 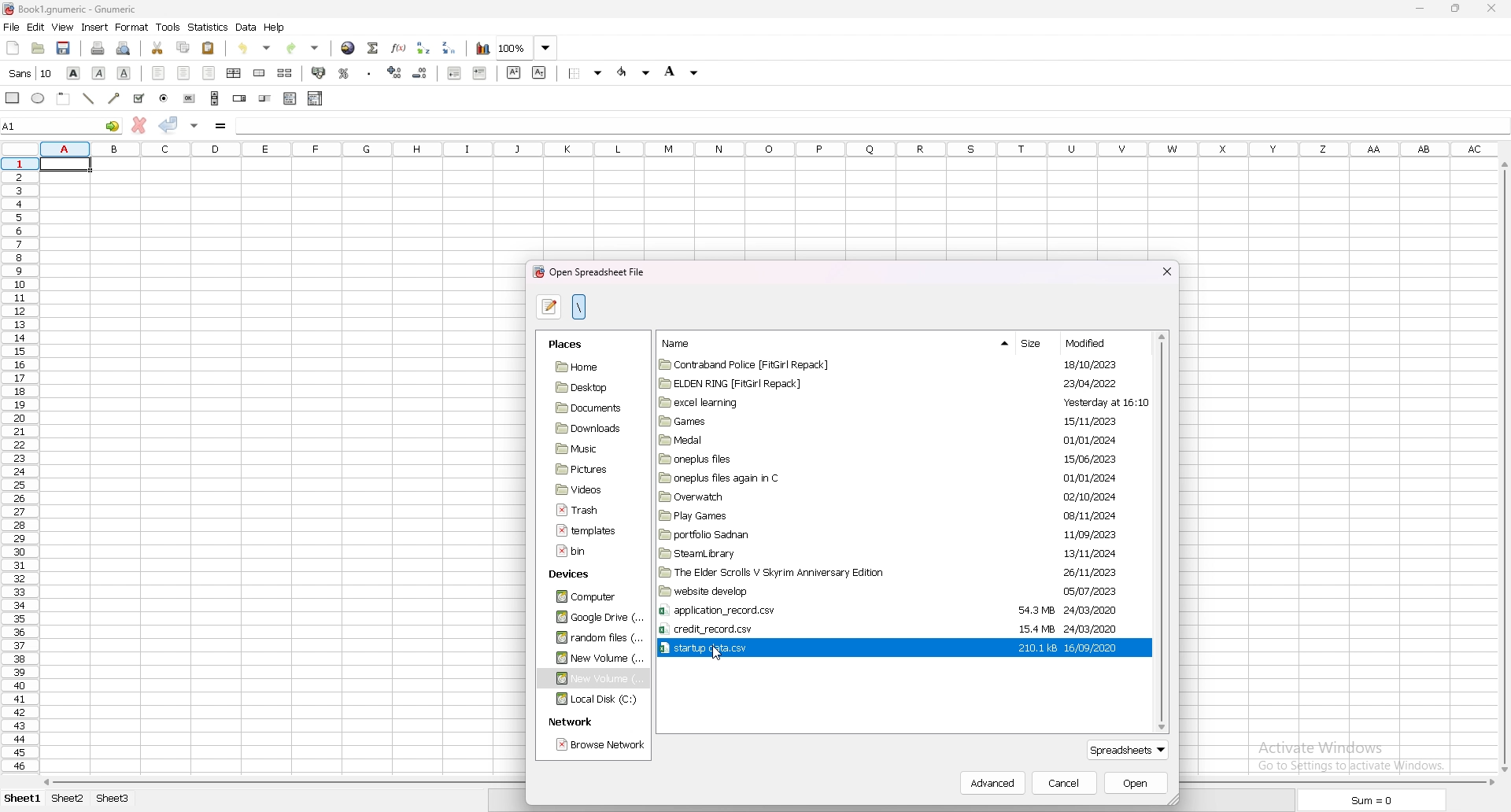 What do you see at coordinates (1103, 627) in the screenshot?
I see `24/03/2020` at bounding box center [1103, 627].